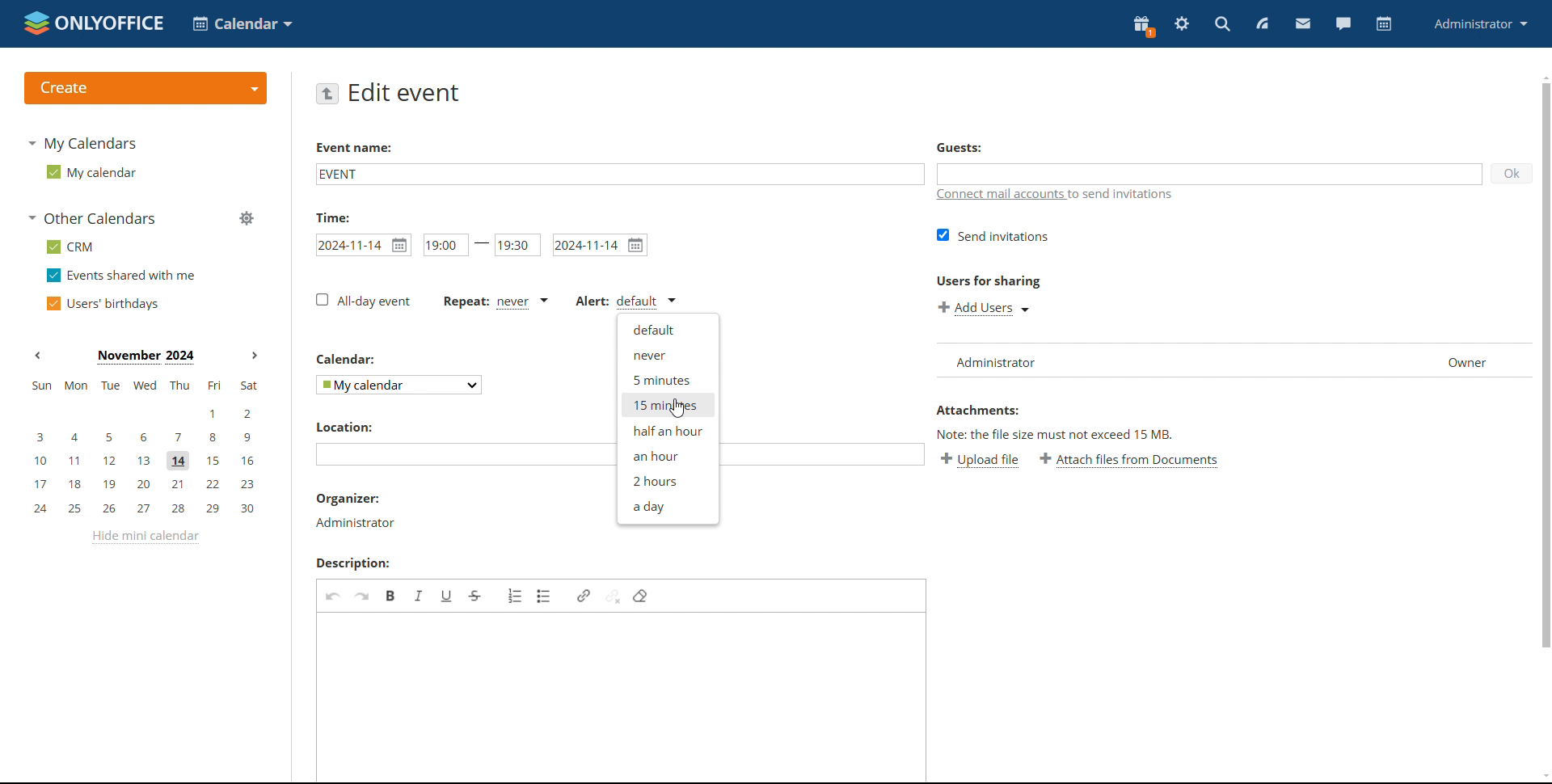  What do you see at coordinates (667, 380) in the screenshot?
I see `5 minutes` at bounding box center [667, 380].